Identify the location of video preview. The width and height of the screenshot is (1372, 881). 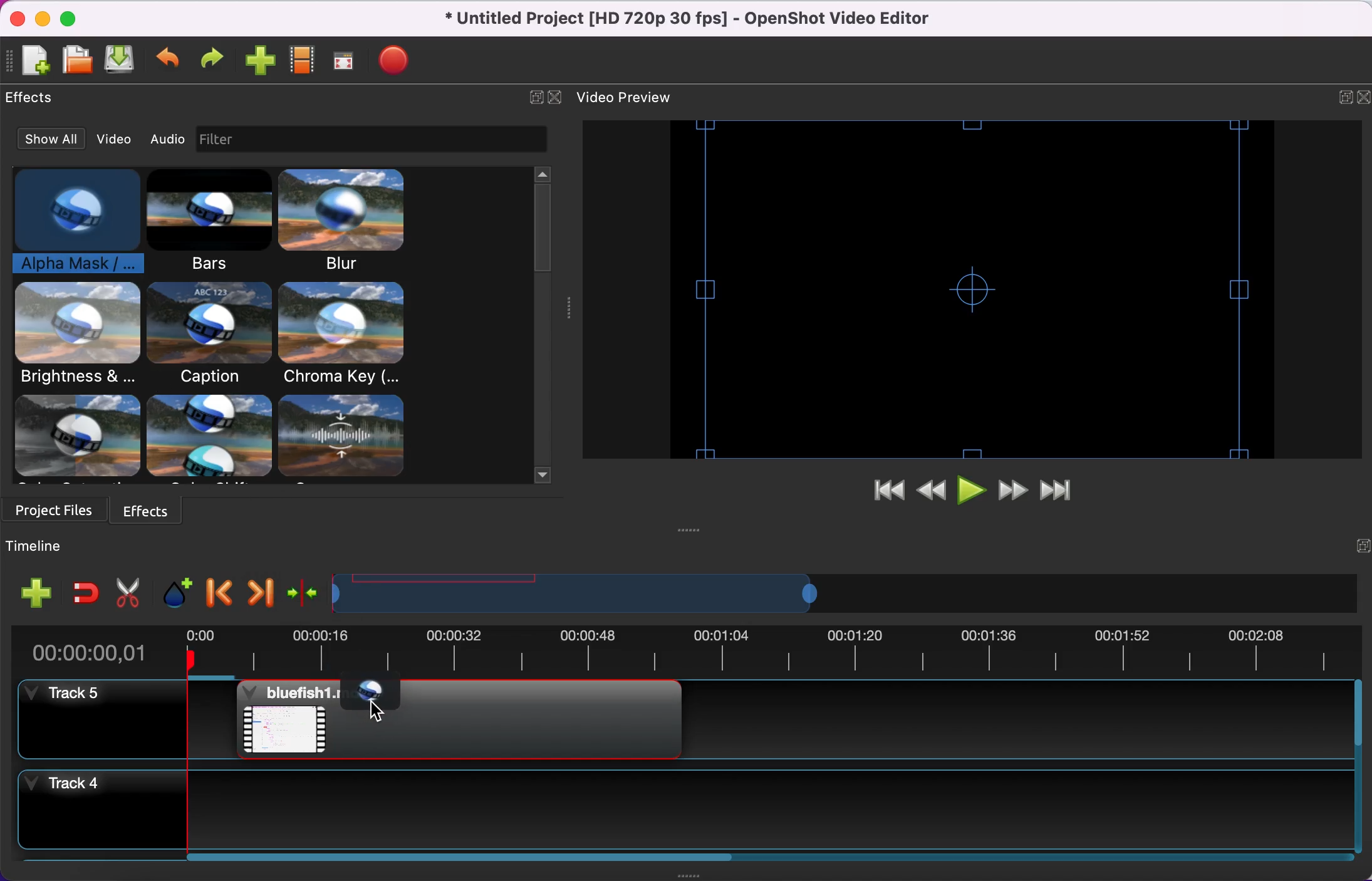
(634, 98).